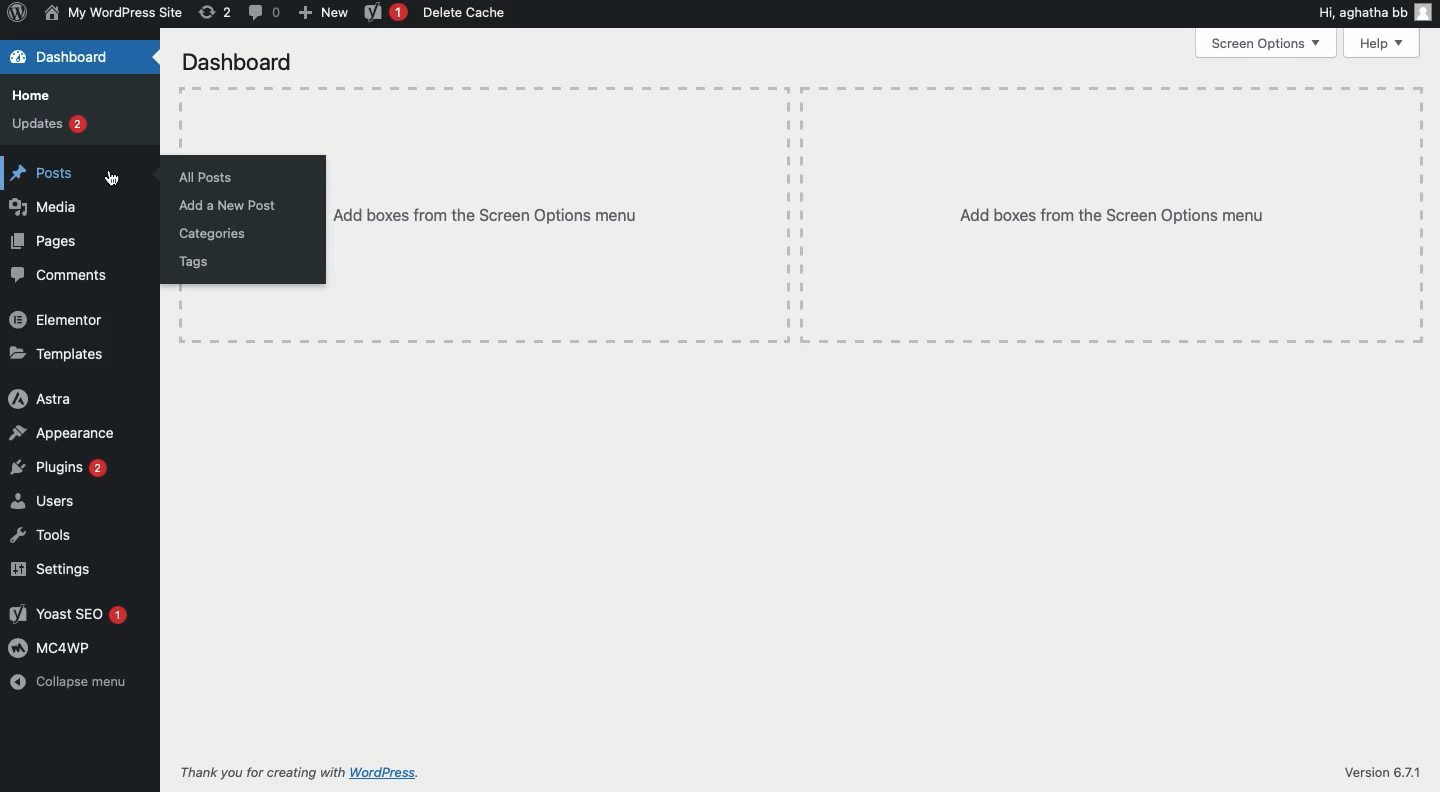 This screenshot has height=792, width=1440. Describe the element at coordinates (1376, 773) in the screenshot. I see `Version 6.7` at that location.